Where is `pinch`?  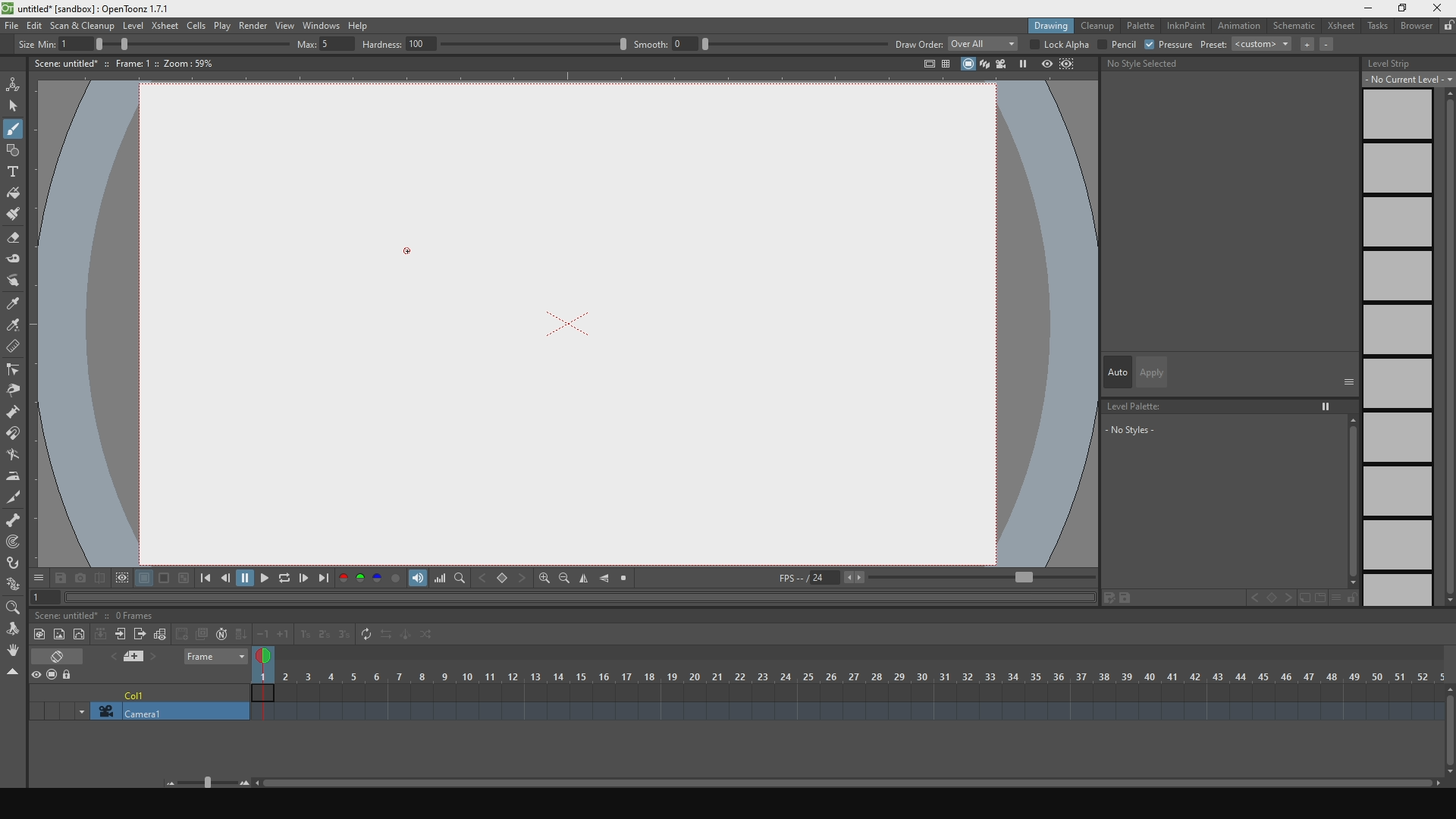
pinch is located at coordinates (14, 391).